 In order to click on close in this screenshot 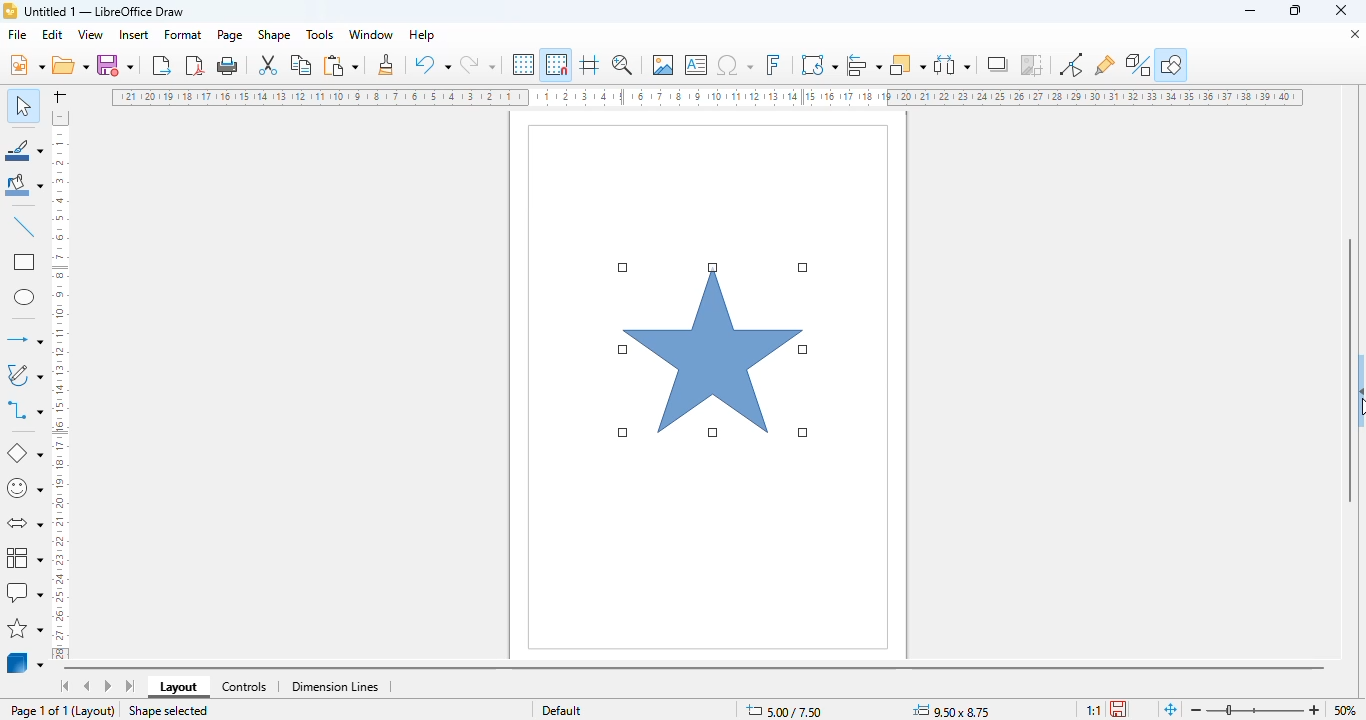, I will do `click(1342, 11)`.